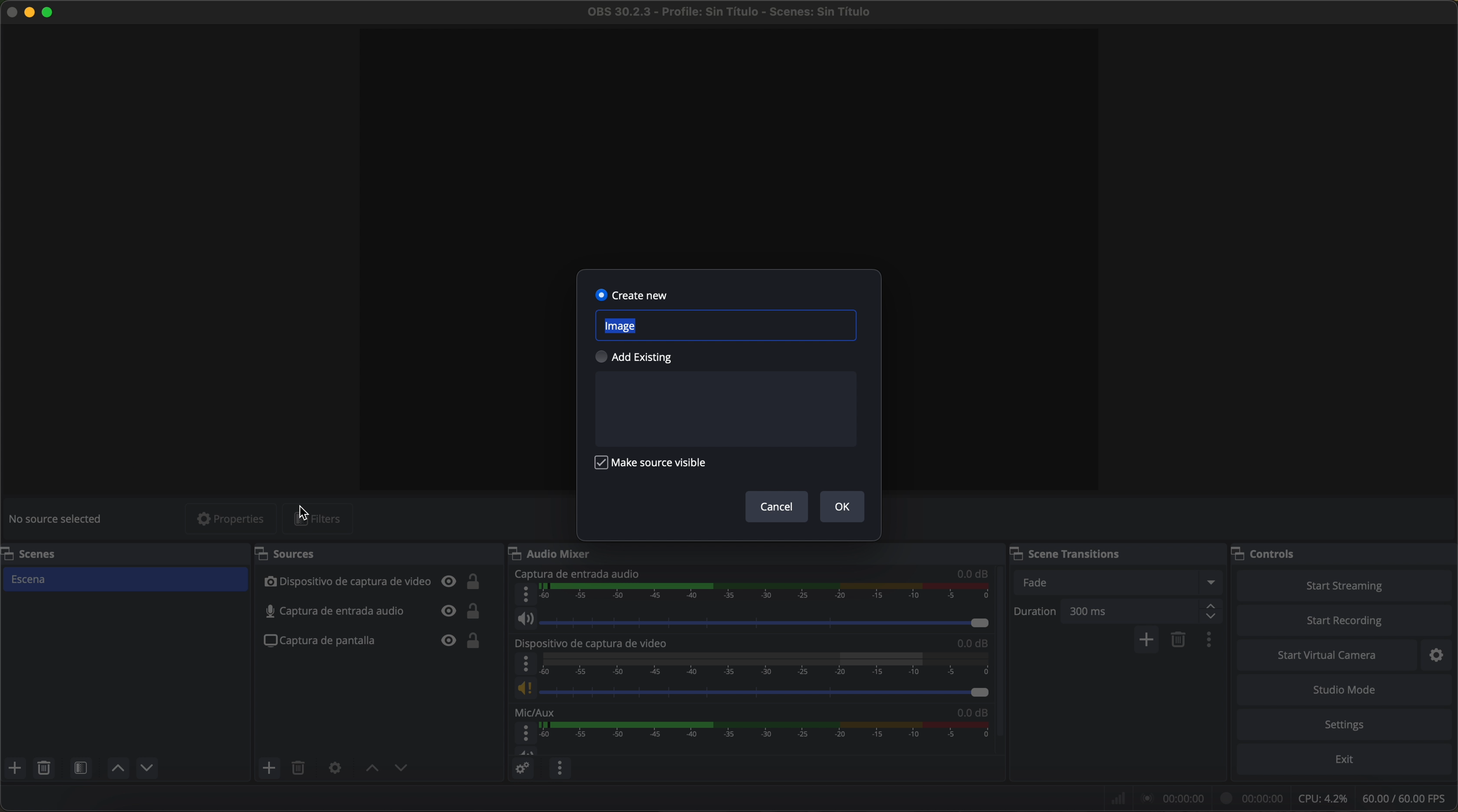 Image resolution: width=1458 pixels, height=812 pixels. What do you see at coordinates (372, 583) in the screenshot?
I see `video capture device` at bounding box center [372, 583].